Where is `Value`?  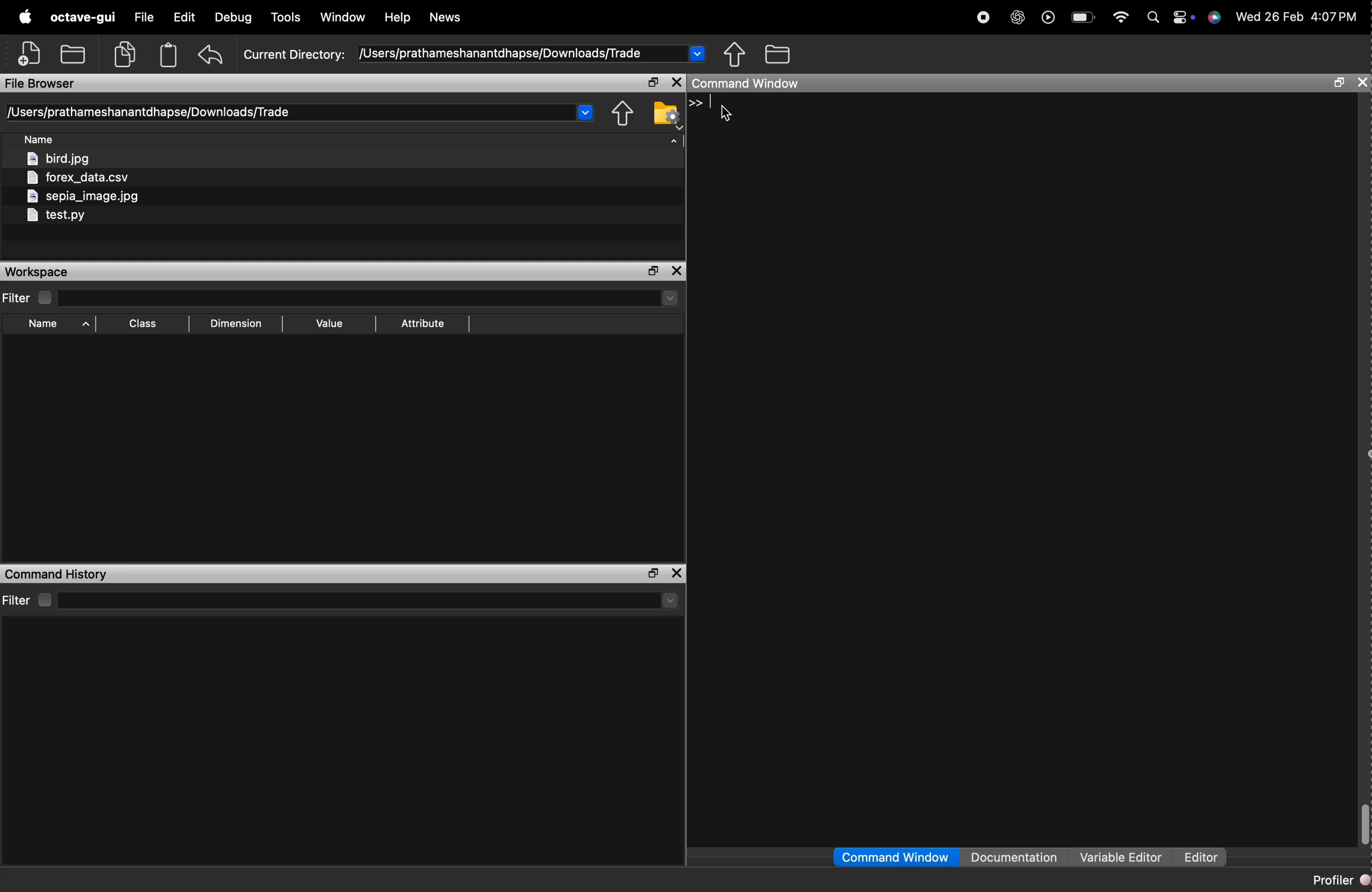
Value is located at coordinates (330, 322).